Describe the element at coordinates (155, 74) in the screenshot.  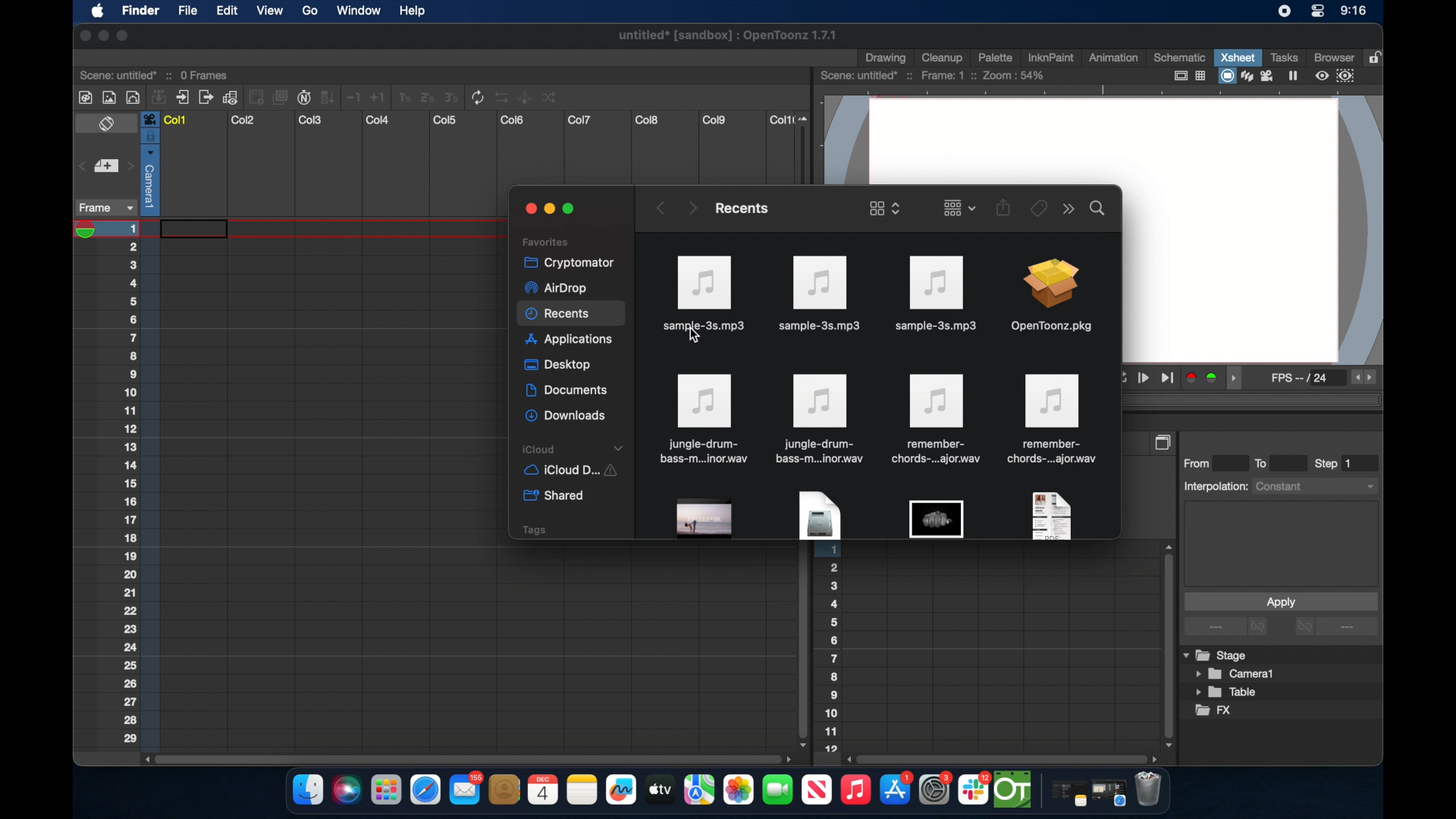
I see `scene` at that location.